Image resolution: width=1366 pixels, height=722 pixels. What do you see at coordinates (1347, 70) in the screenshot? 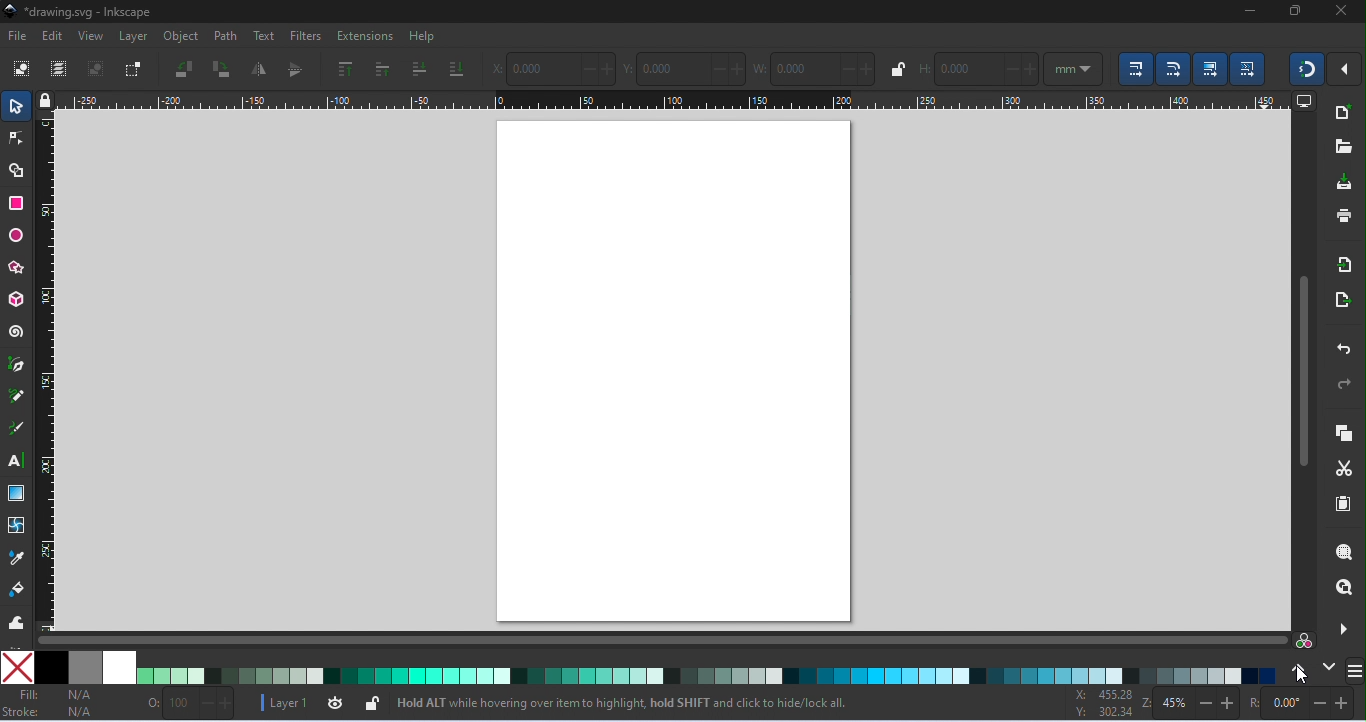
I see `enable snapping and more` at bounding box center [1347, 70].